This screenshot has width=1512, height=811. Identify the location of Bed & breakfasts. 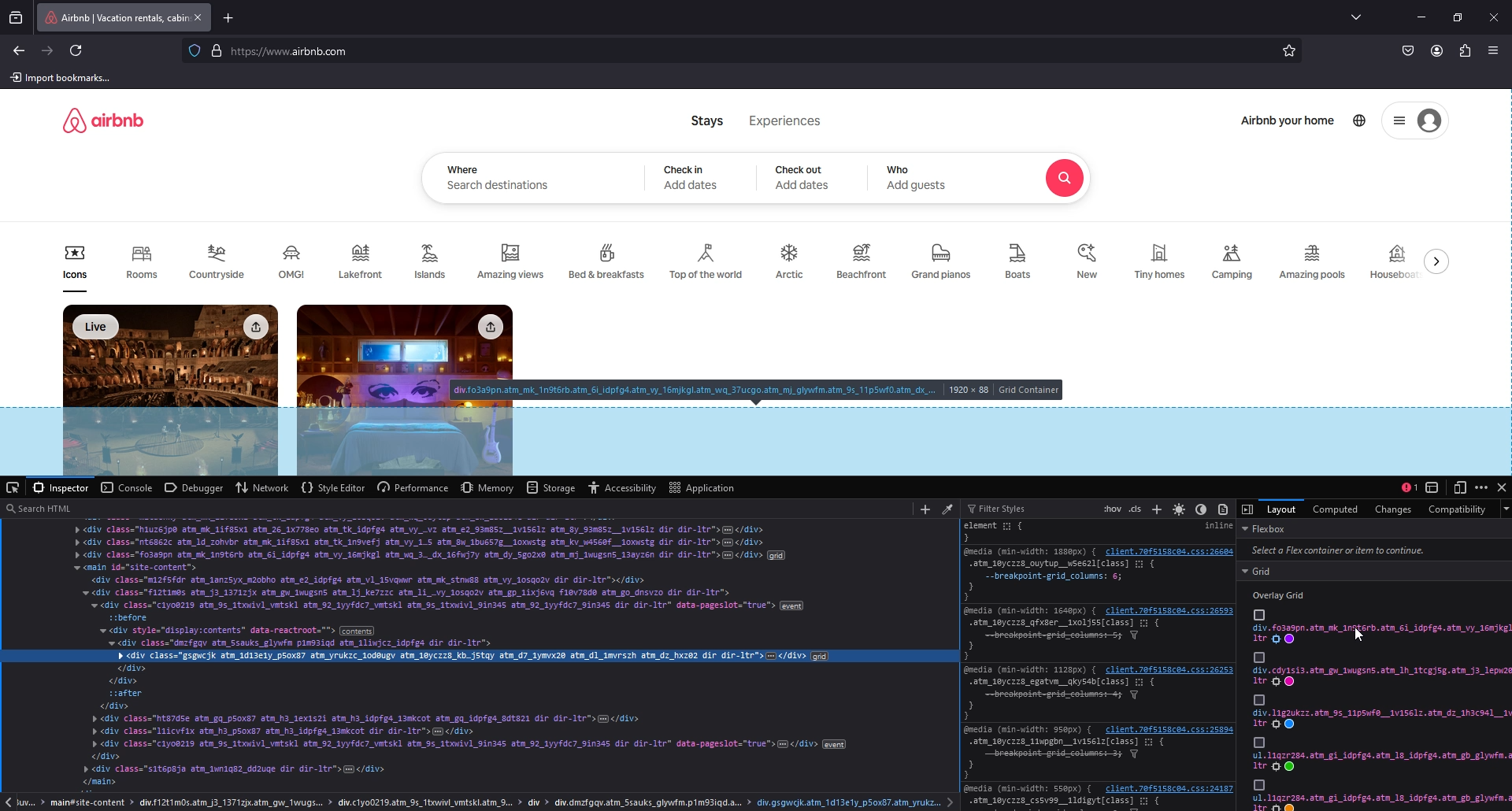
(609, 259).